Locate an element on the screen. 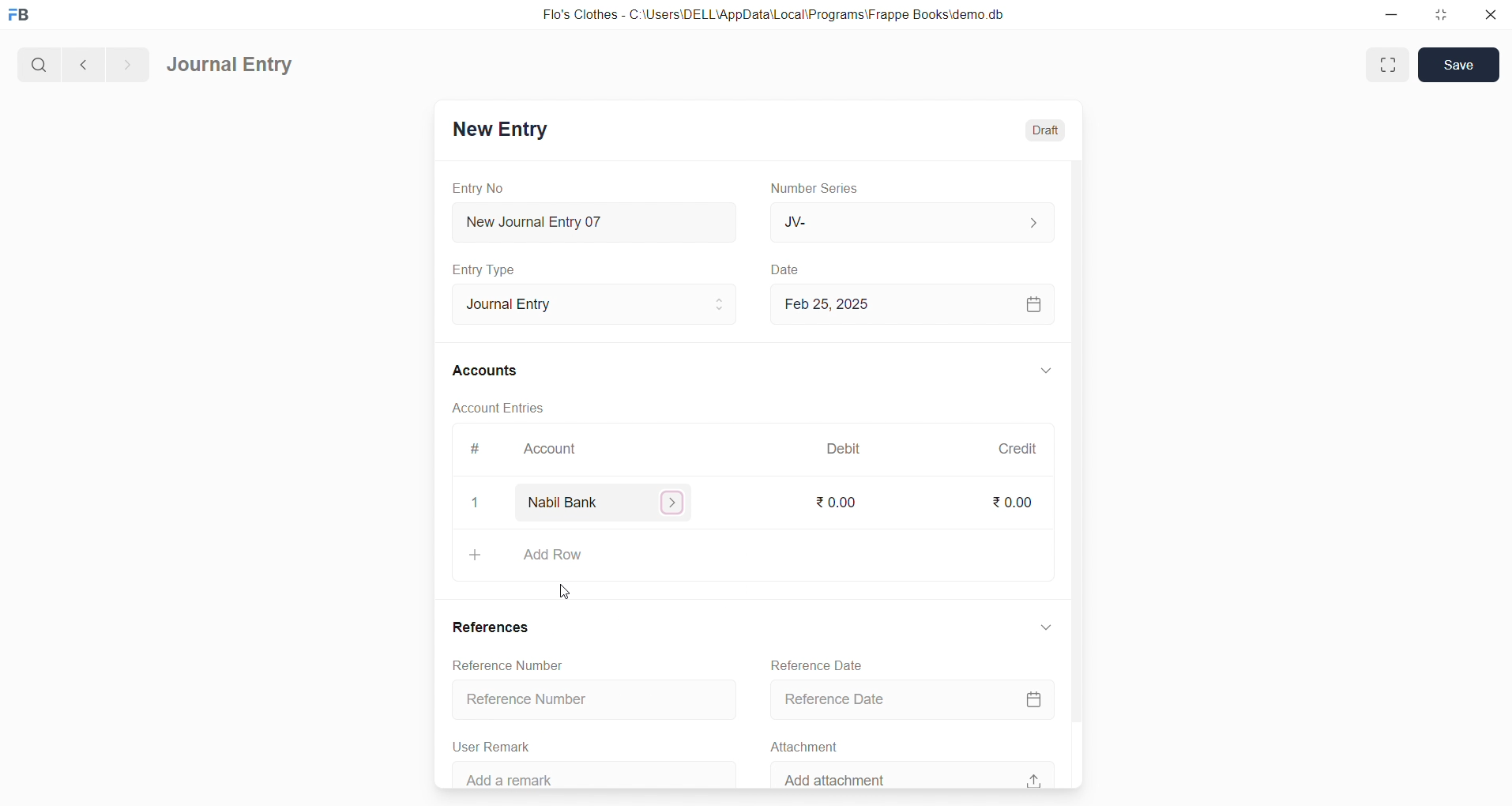 The image size is (1512, 806). Accounts is located at coordinates (486, 372).